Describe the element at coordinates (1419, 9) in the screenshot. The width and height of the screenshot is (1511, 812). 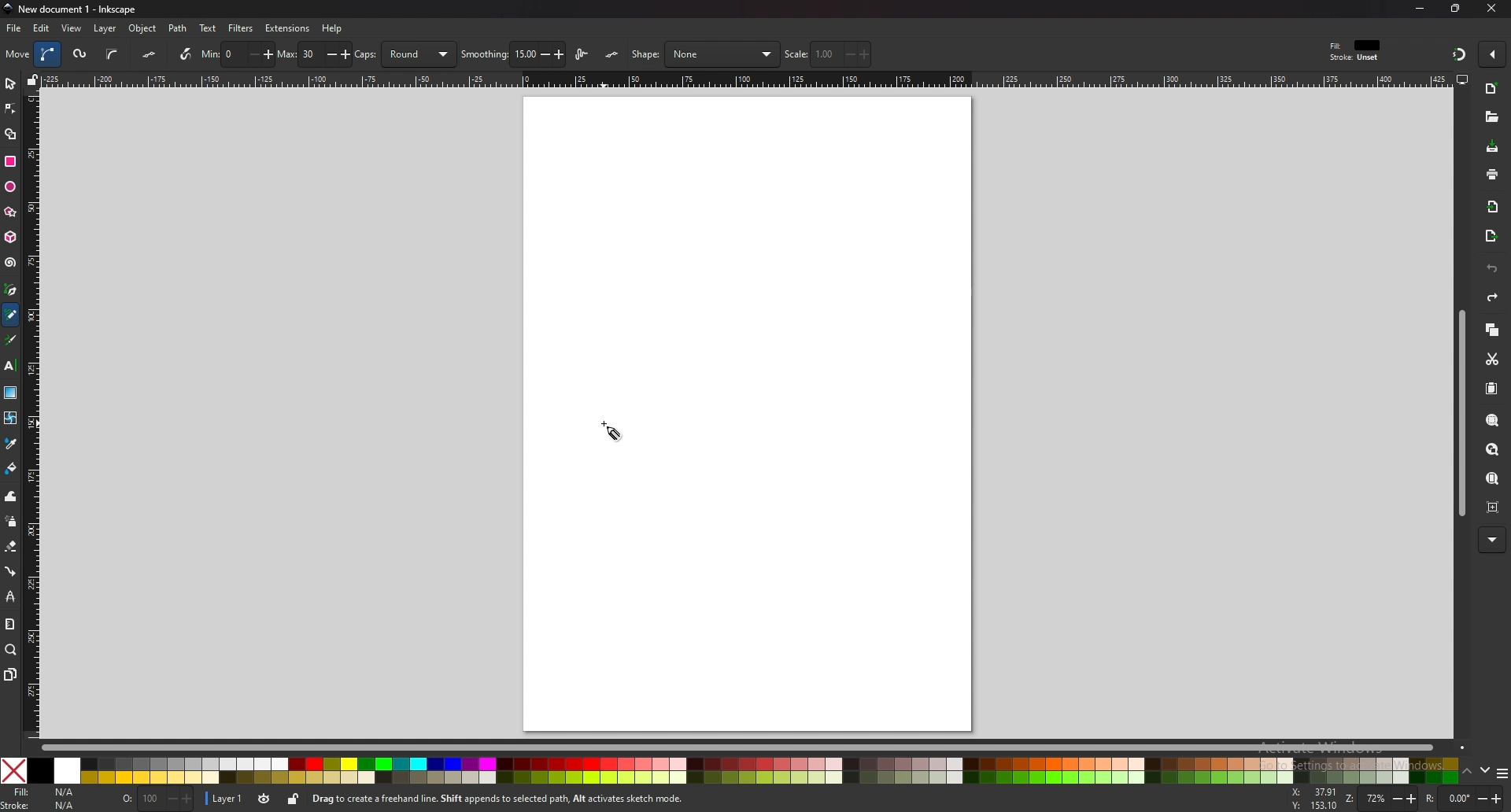
I see `minimize` at that location.